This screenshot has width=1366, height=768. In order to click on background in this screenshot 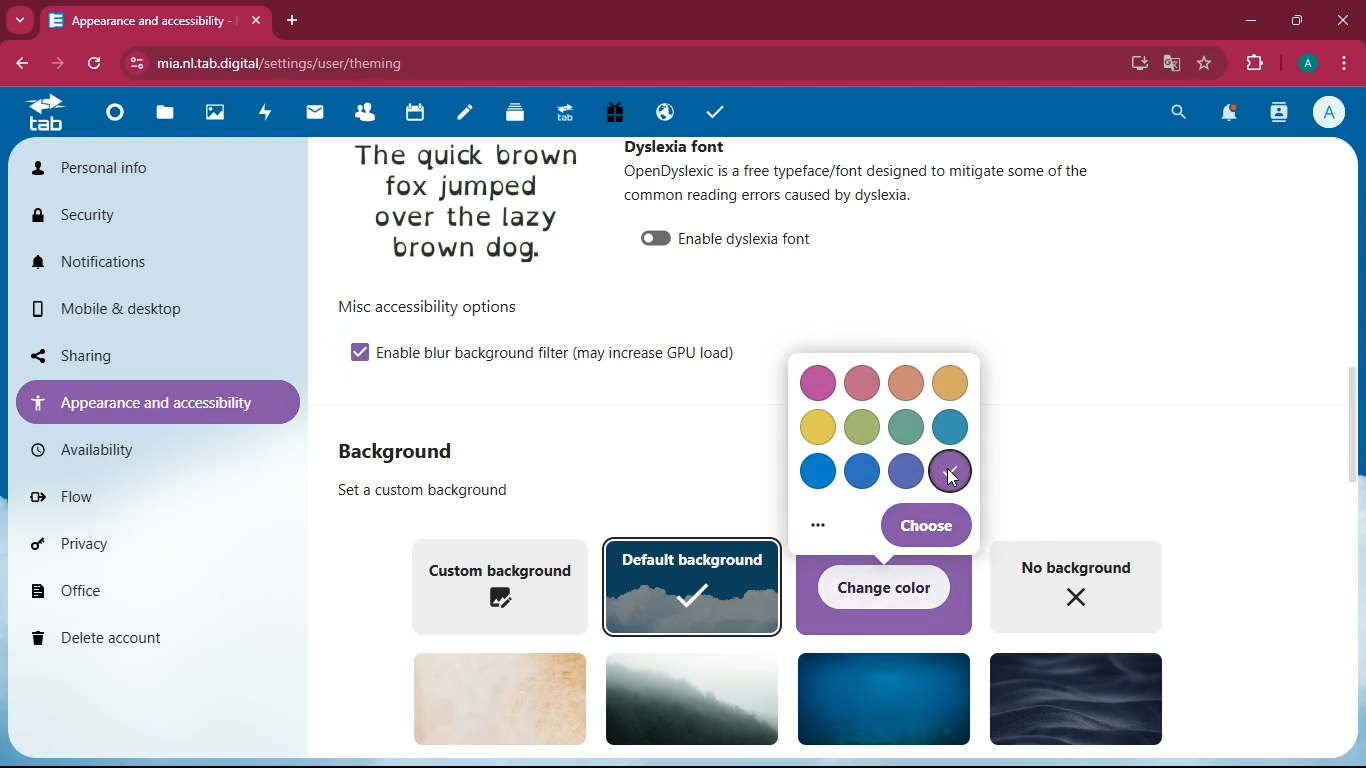, I will do `click(1074, 697)`.